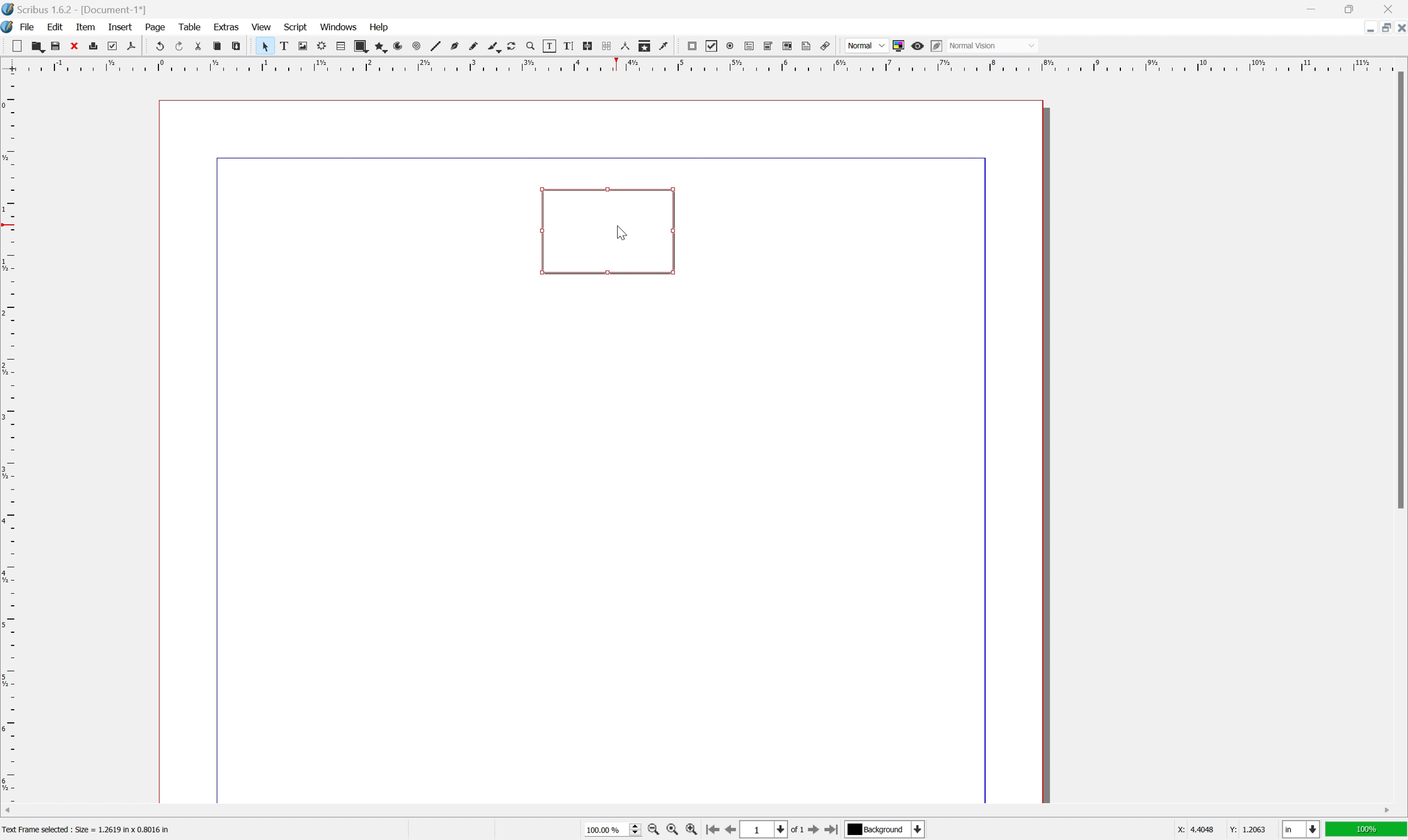 This screenshot has height=840, width=1408. What do you see at coordinates (453, 46) in the screenshot?
I see `bezier curve` at bounding box center [453, 46].